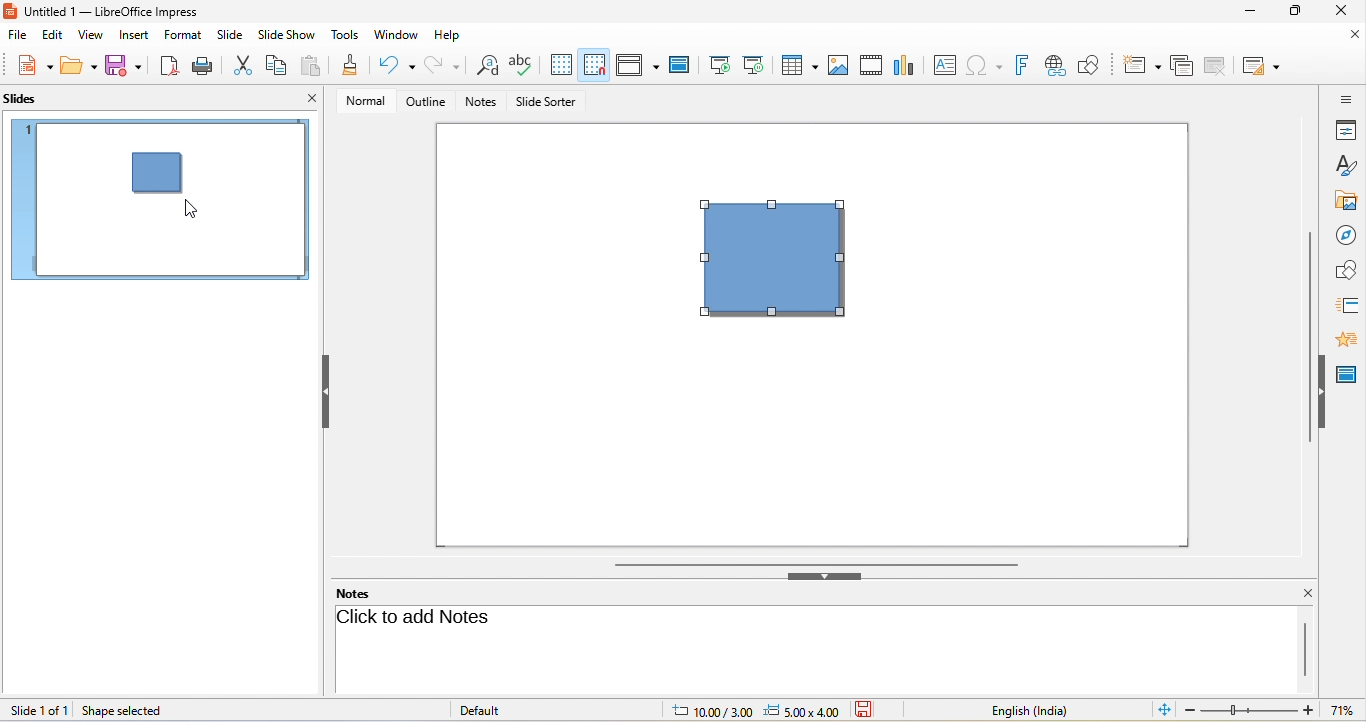 This screenshot has height=722, width=1366. I want to click on window, so click(396, 34).